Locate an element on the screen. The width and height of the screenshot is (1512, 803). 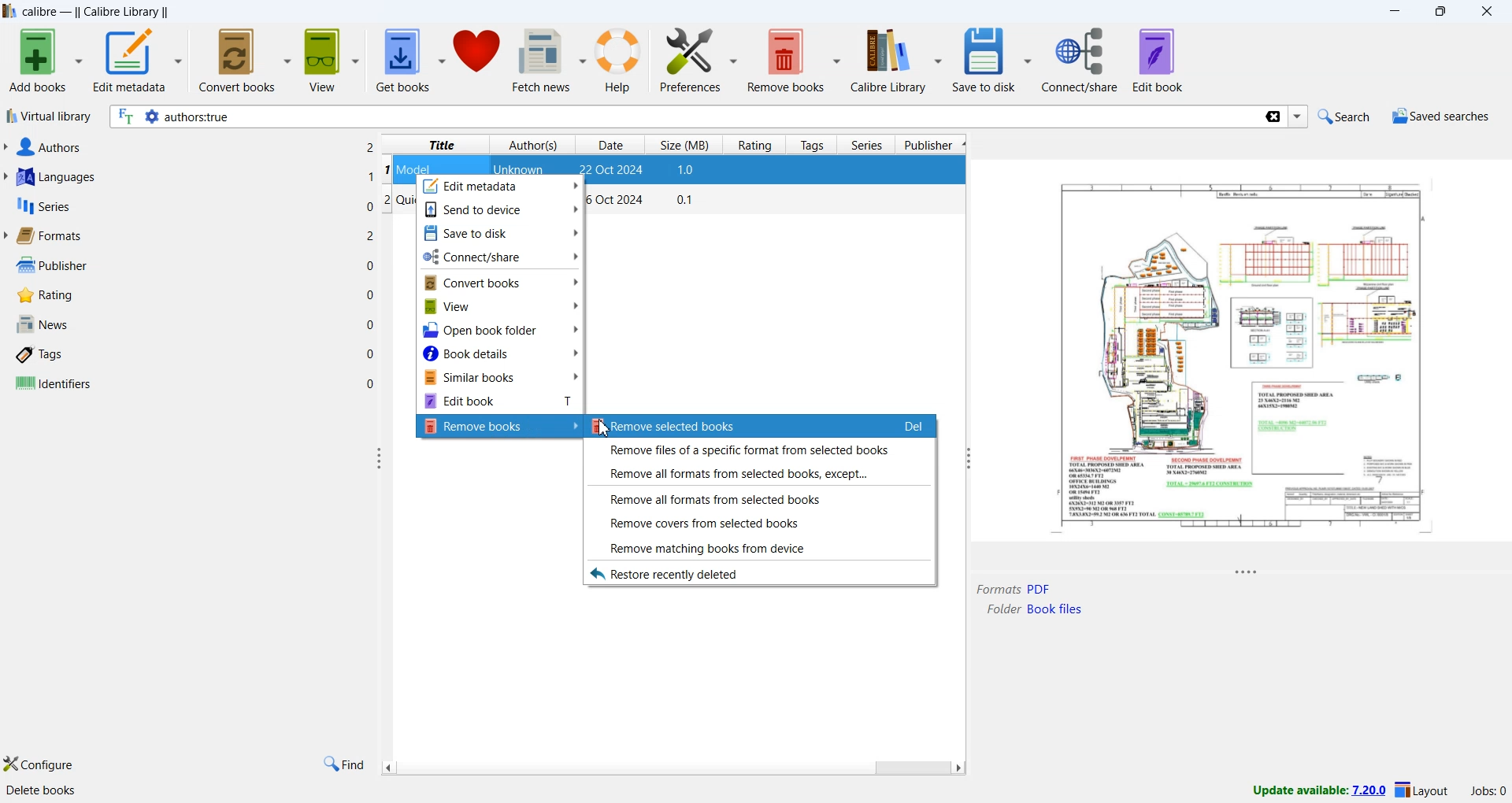
edit metadata is located at coordinates (138, 62).